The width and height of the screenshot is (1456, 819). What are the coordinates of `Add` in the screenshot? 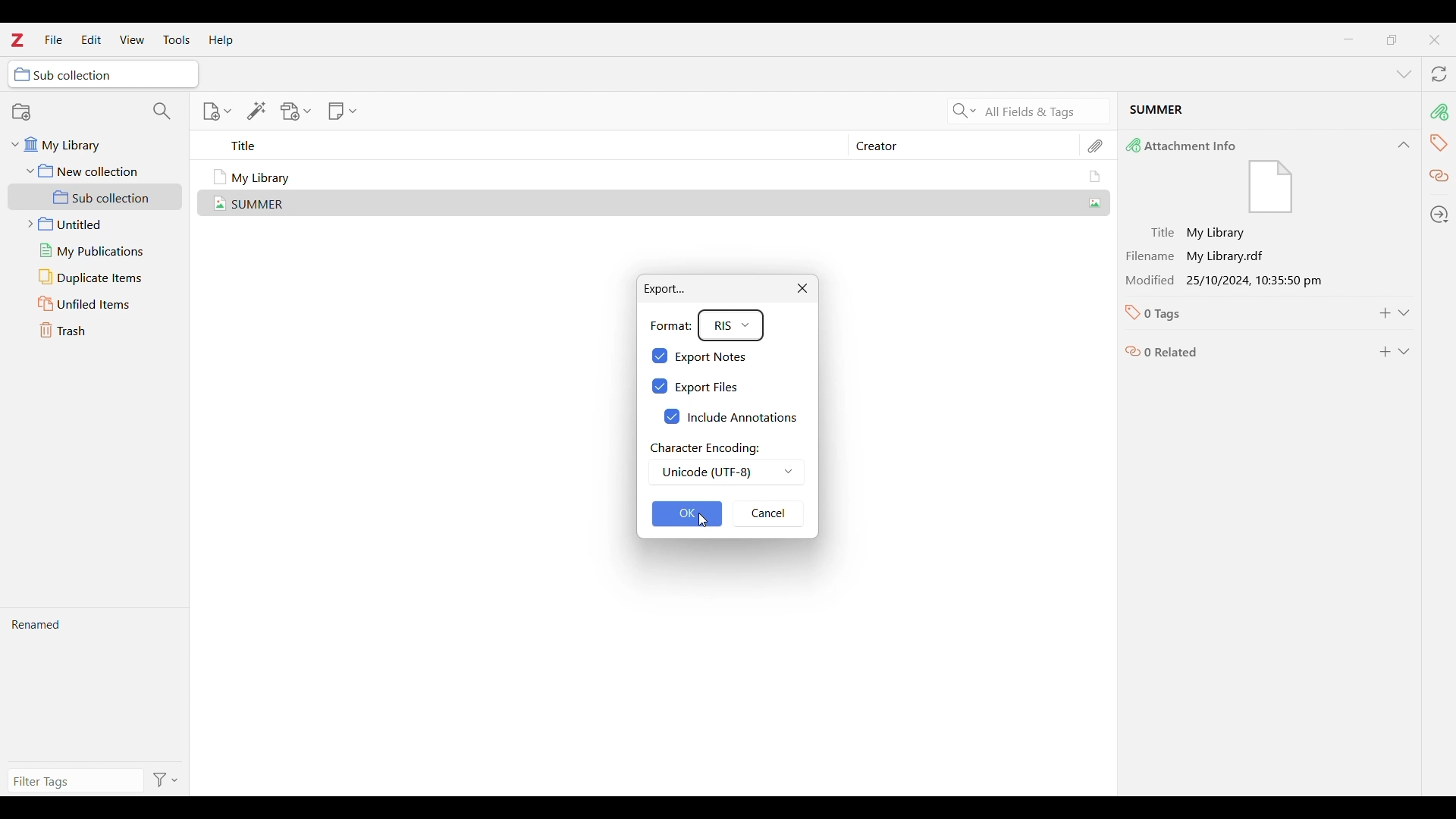 It's located at (1385, 313).